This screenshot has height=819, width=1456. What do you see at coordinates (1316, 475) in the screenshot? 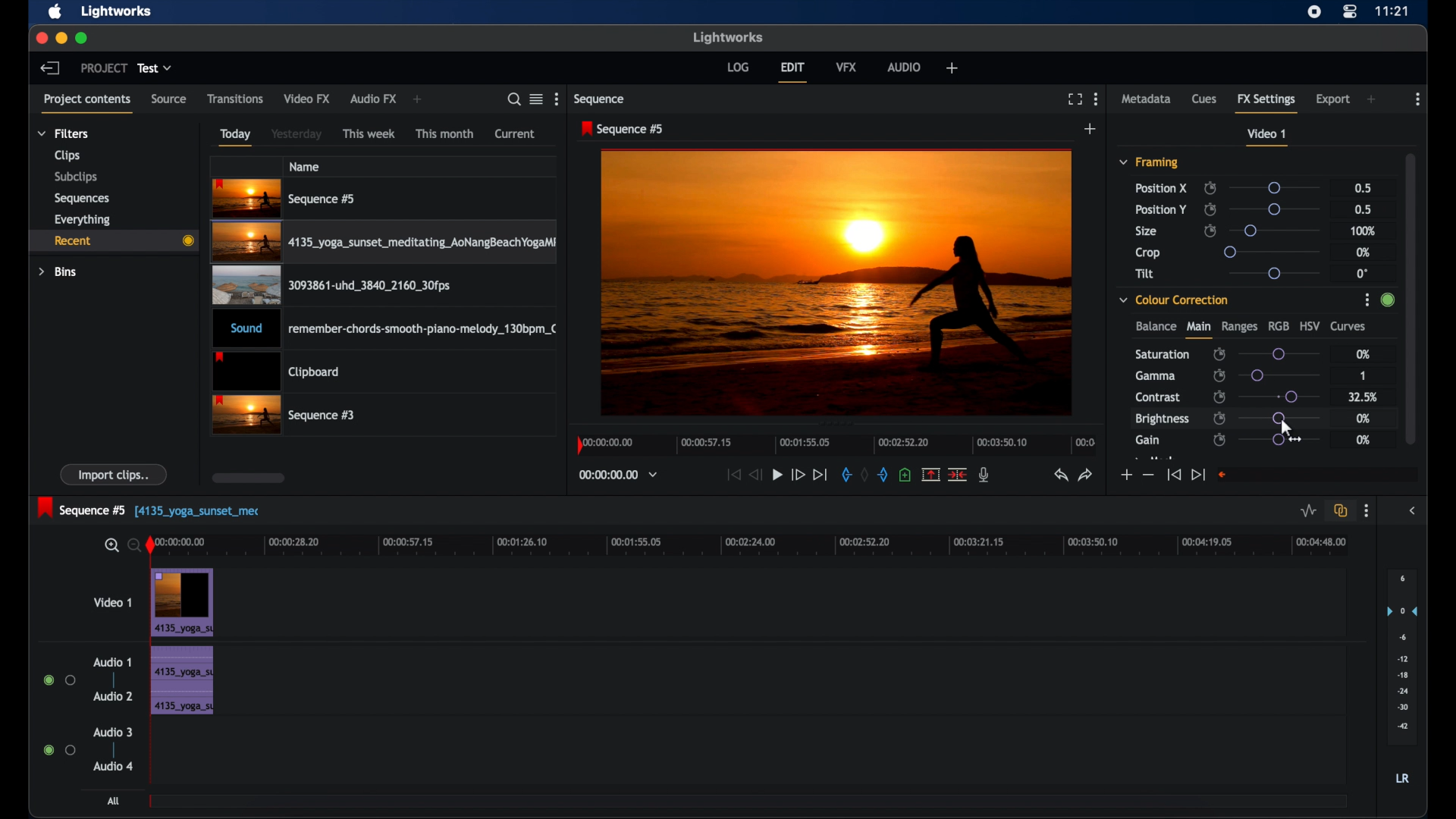
I see `empty field` at bounding box center [1316, 475].